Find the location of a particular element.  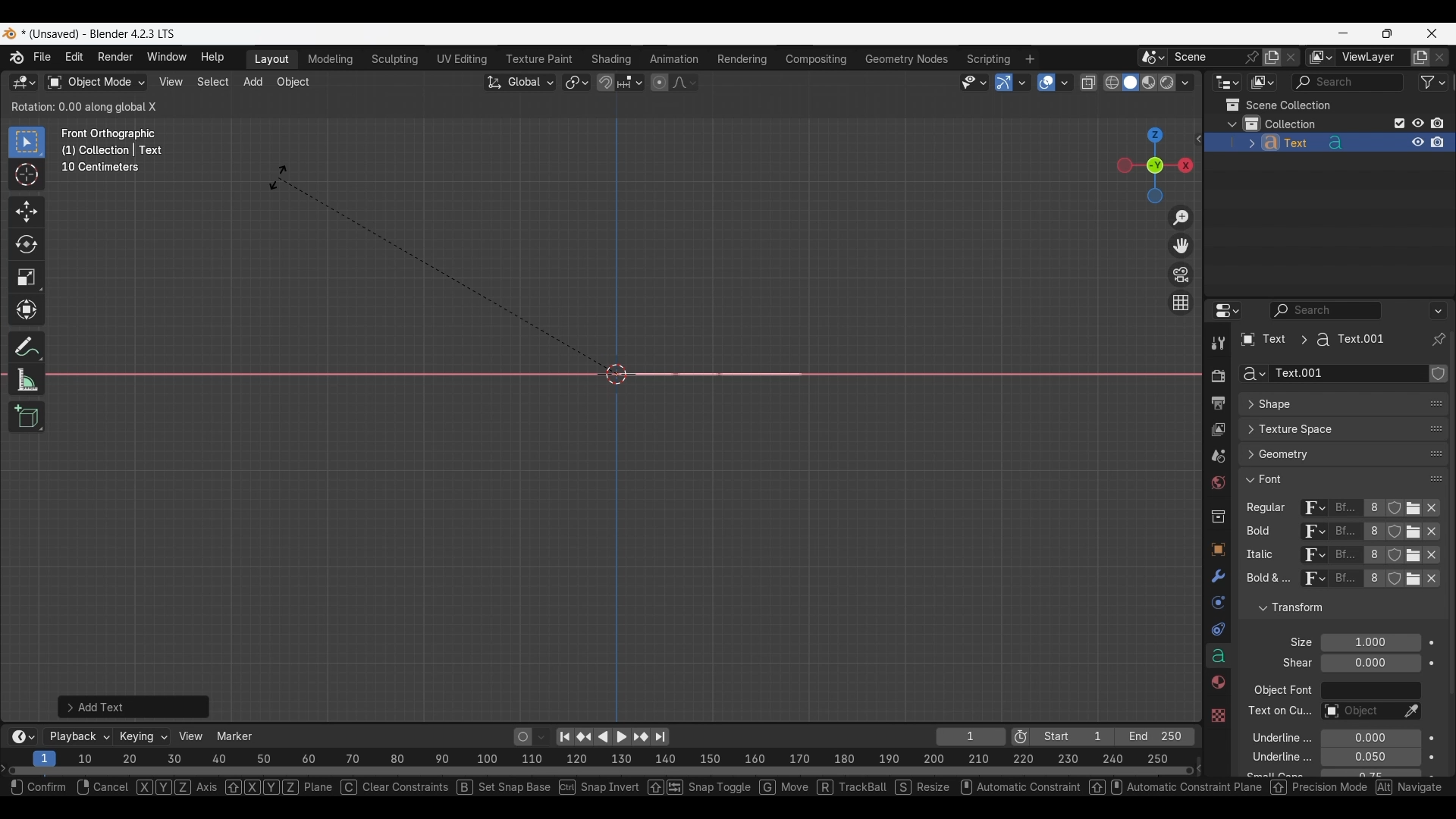

Transform pivot point is located at coordinates (576, 83).